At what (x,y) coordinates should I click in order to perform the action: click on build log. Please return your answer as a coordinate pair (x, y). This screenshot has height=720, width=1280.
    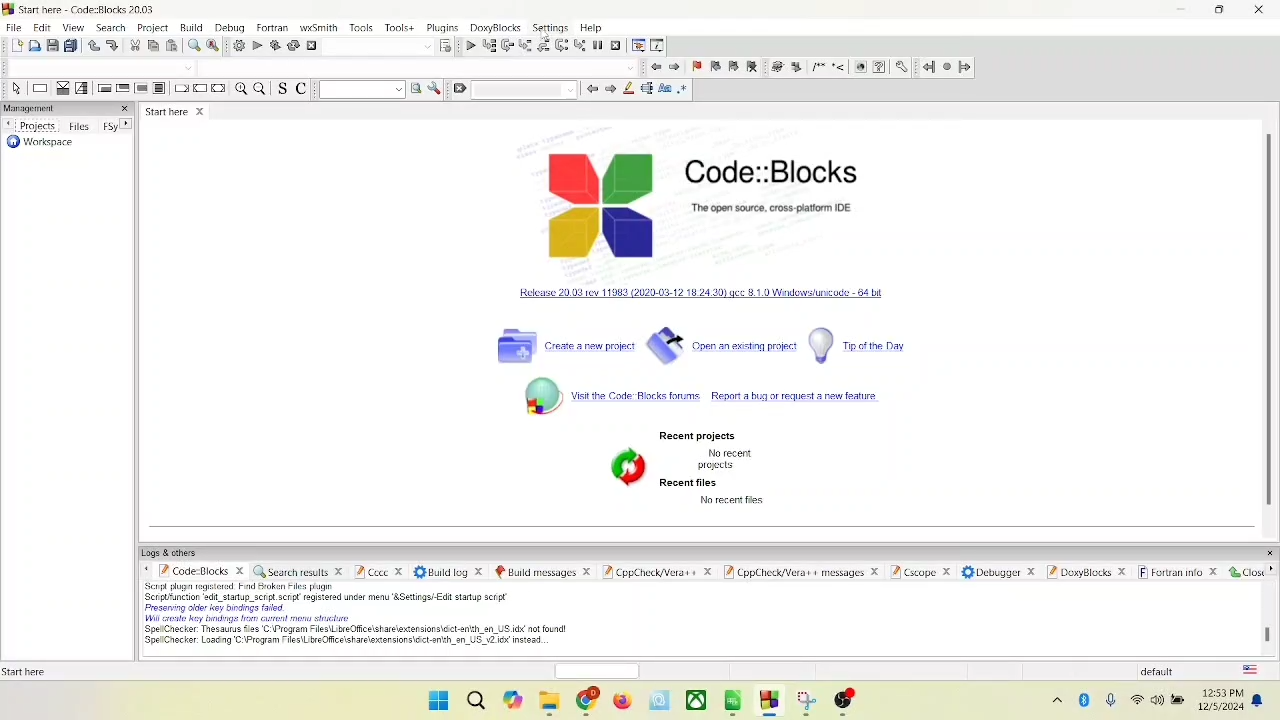
    Looking at the image, I should click on (448, 570).